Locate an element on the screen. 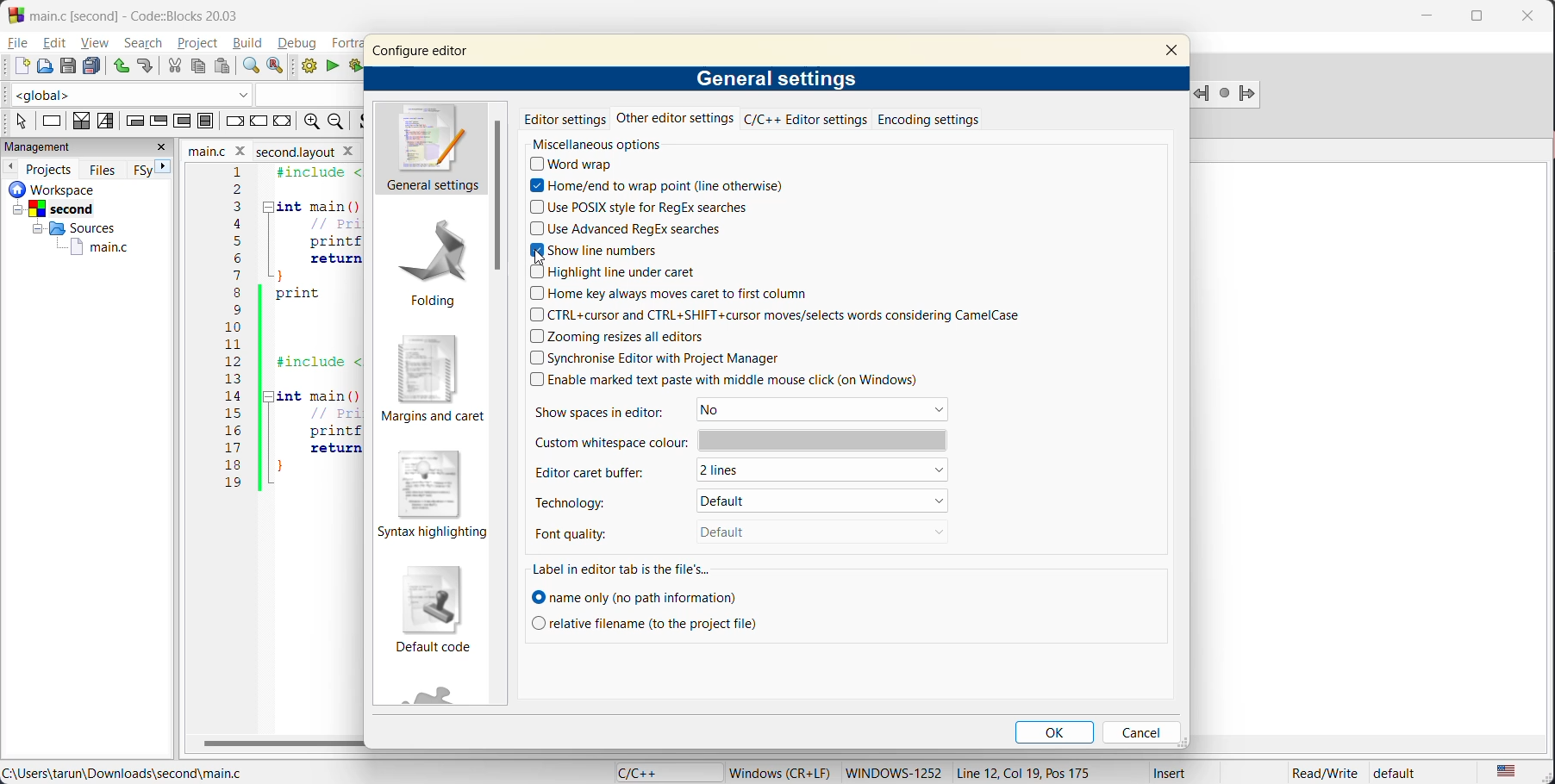  ok is located at coordinates (1056, 733).